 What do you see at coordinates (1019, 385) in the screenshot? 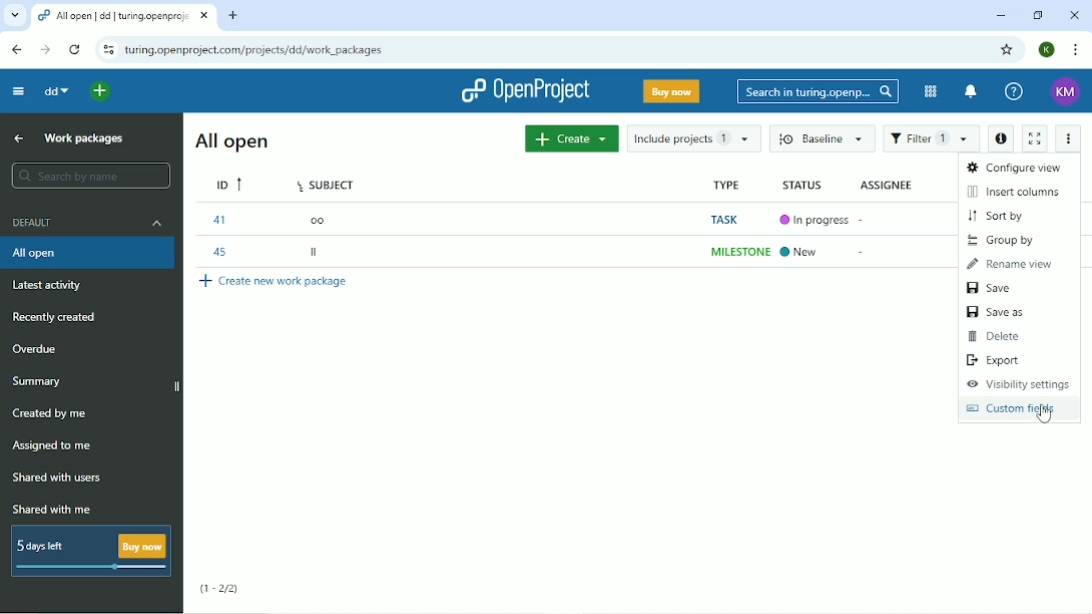
I see `Visibility settings` at bounding box center [1019, 385].